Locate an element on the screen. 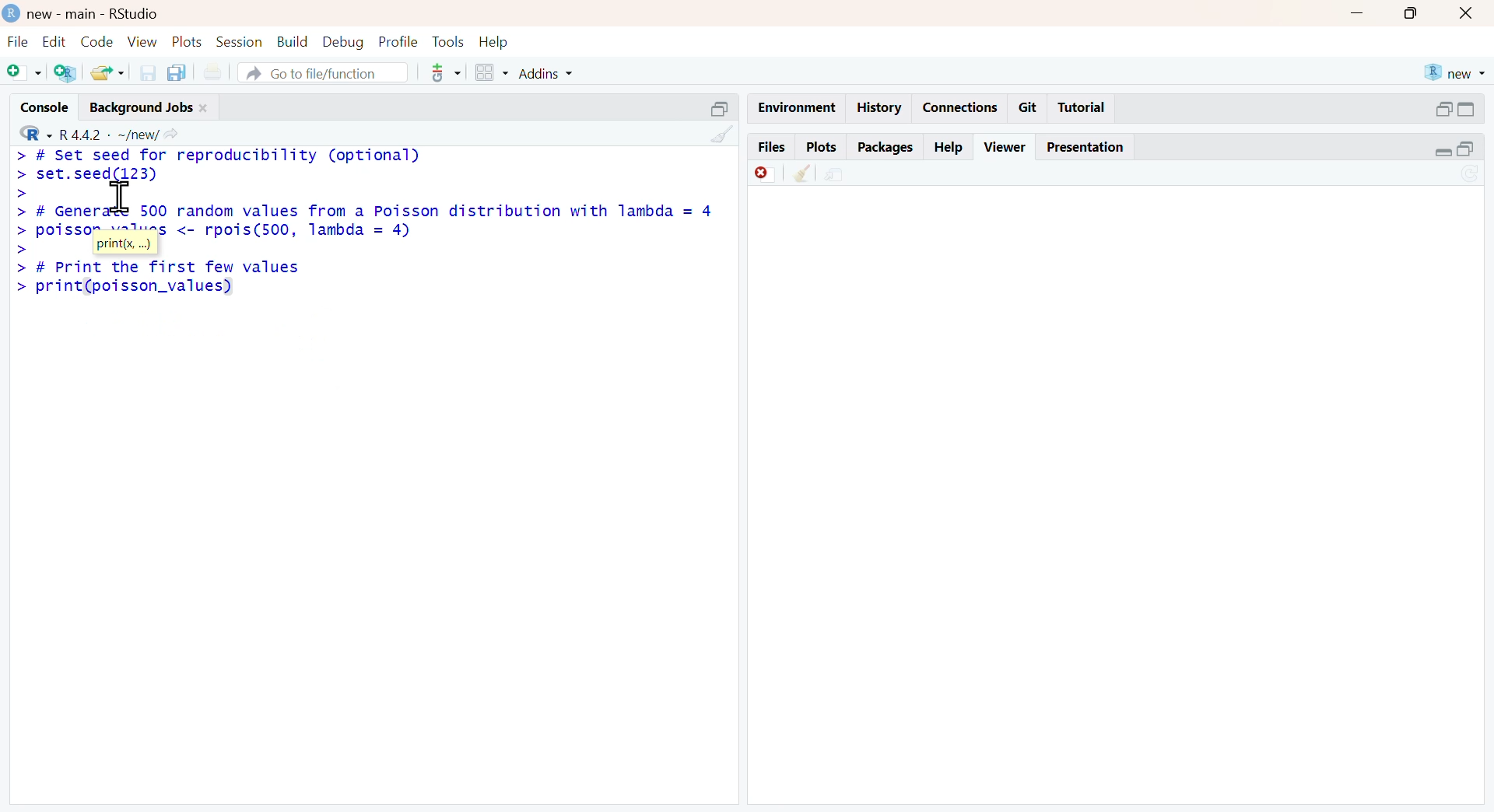  add R file is located at coordinates (68, 72).